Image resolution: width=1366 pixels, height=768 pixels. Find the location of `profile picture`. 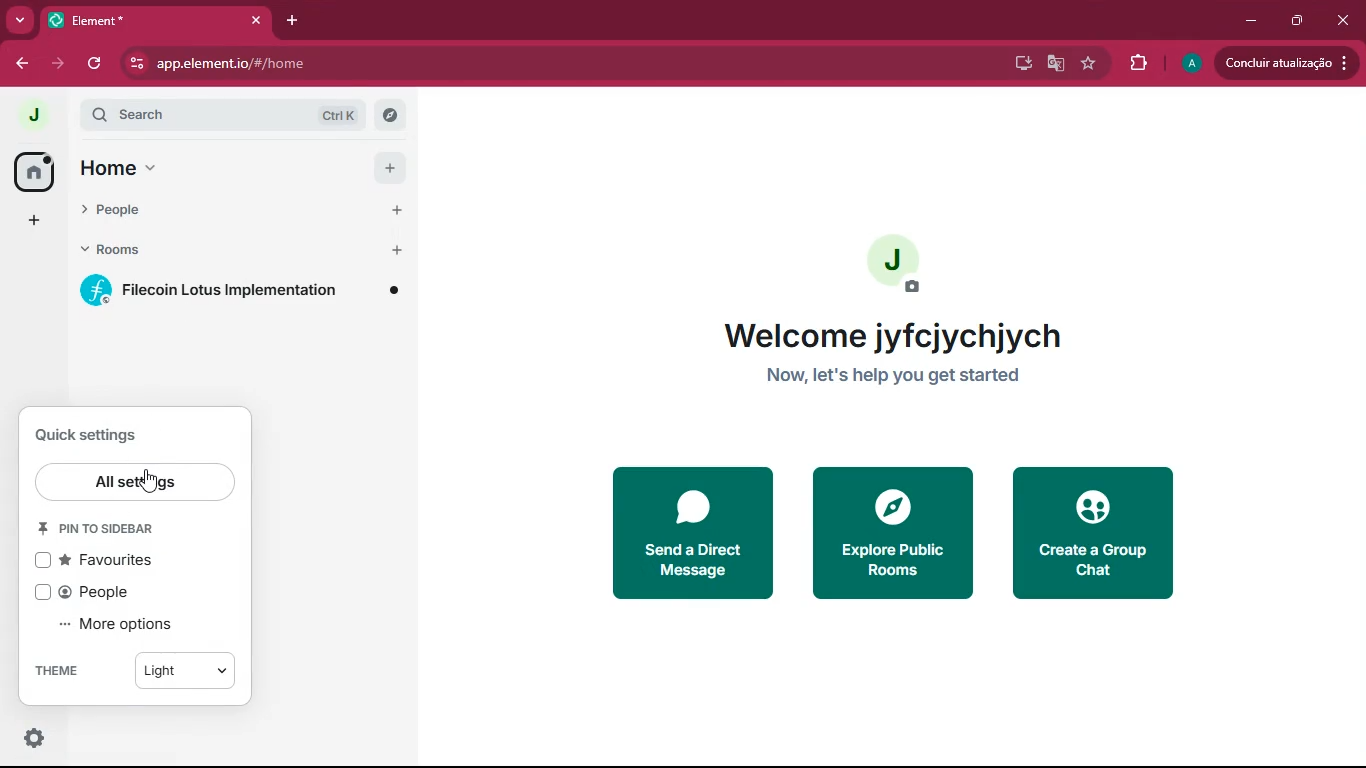

profile picture is located at coordinates (26, 116).